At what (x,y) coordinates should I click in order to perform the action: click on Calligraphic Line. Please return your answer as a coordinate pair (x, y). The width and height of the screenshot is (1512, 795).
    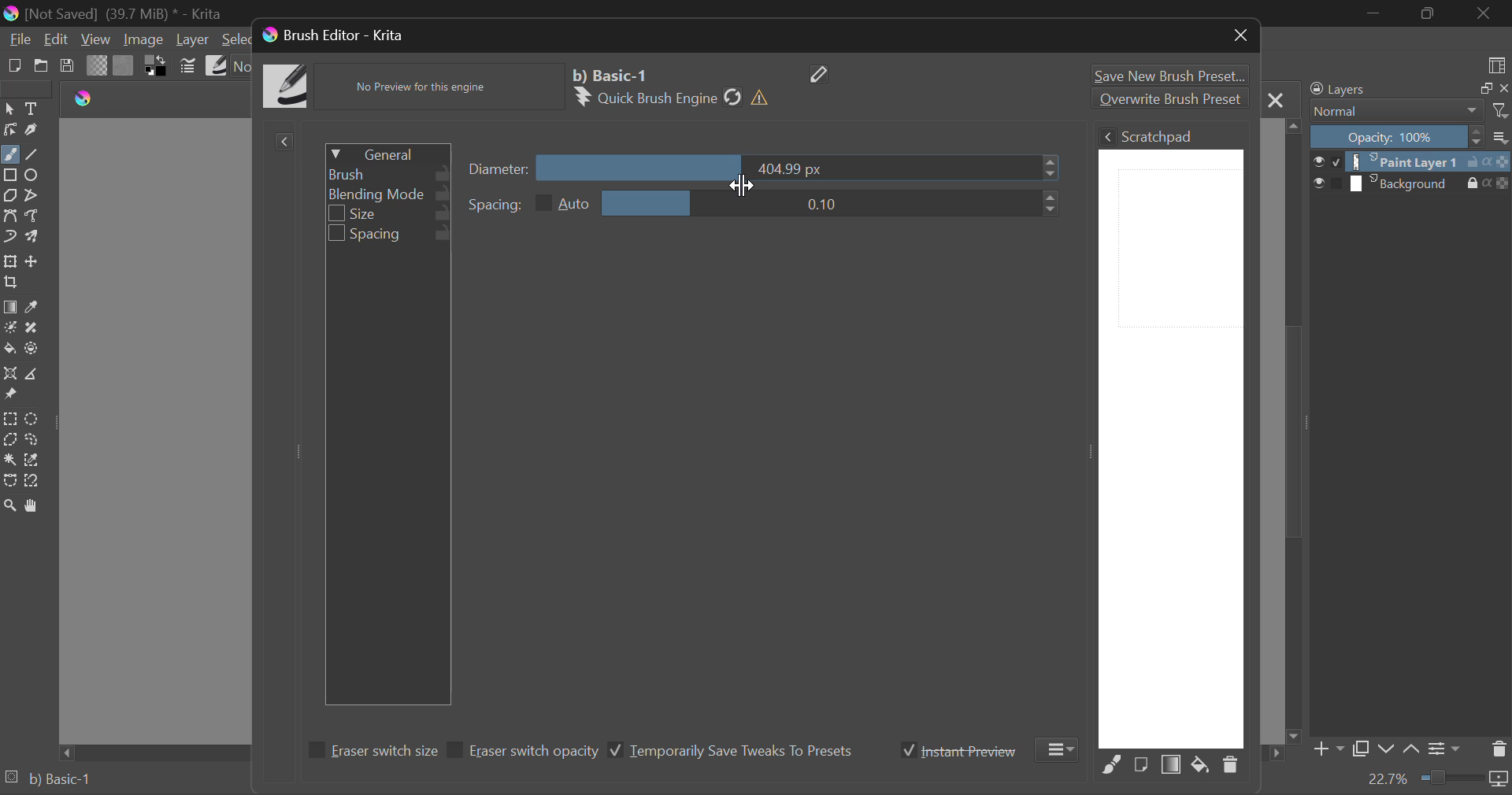
    Looking at the image, I should click on (30, 129).